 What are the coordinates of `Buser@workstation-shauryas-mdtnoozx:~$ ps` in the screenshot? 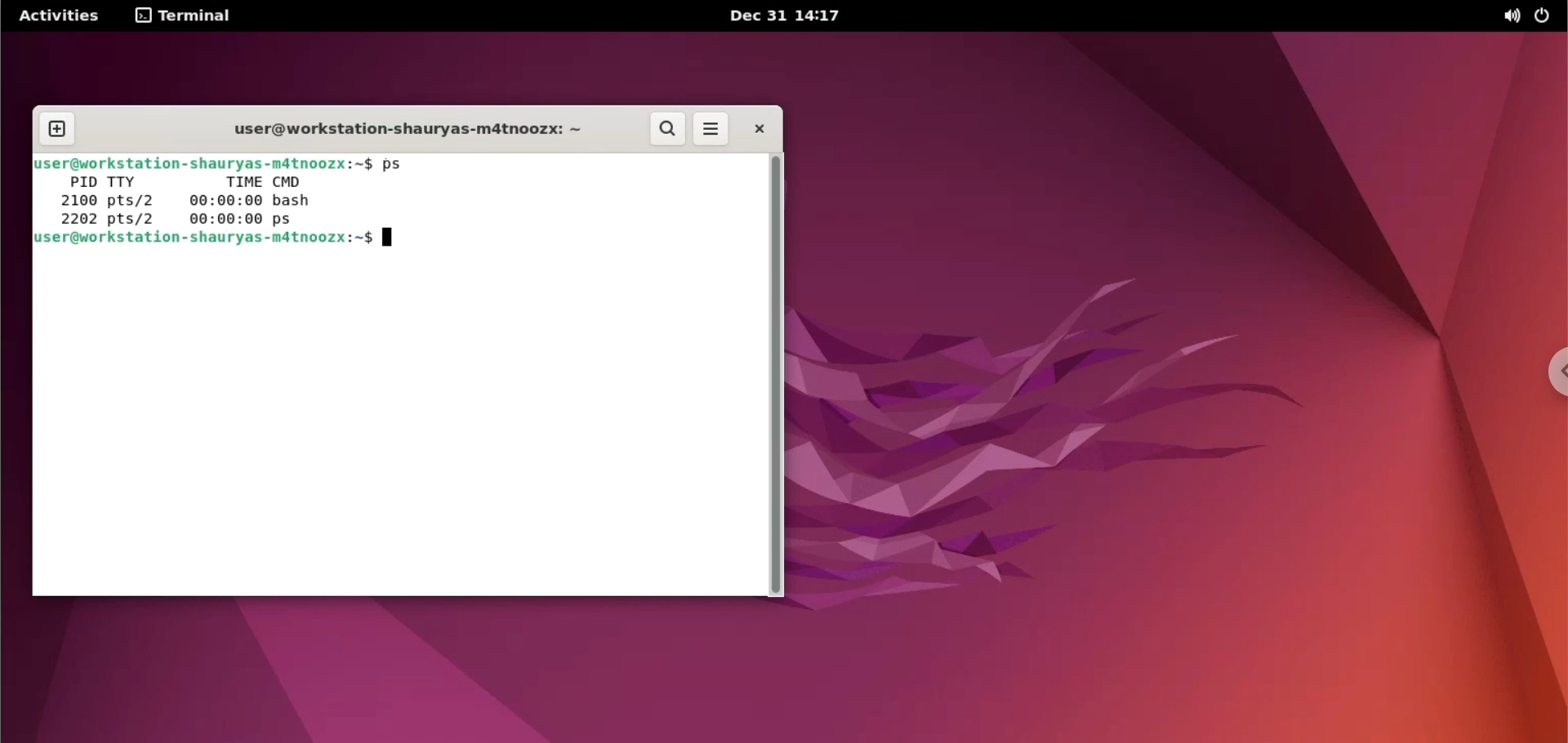 It's located at (214, 162).